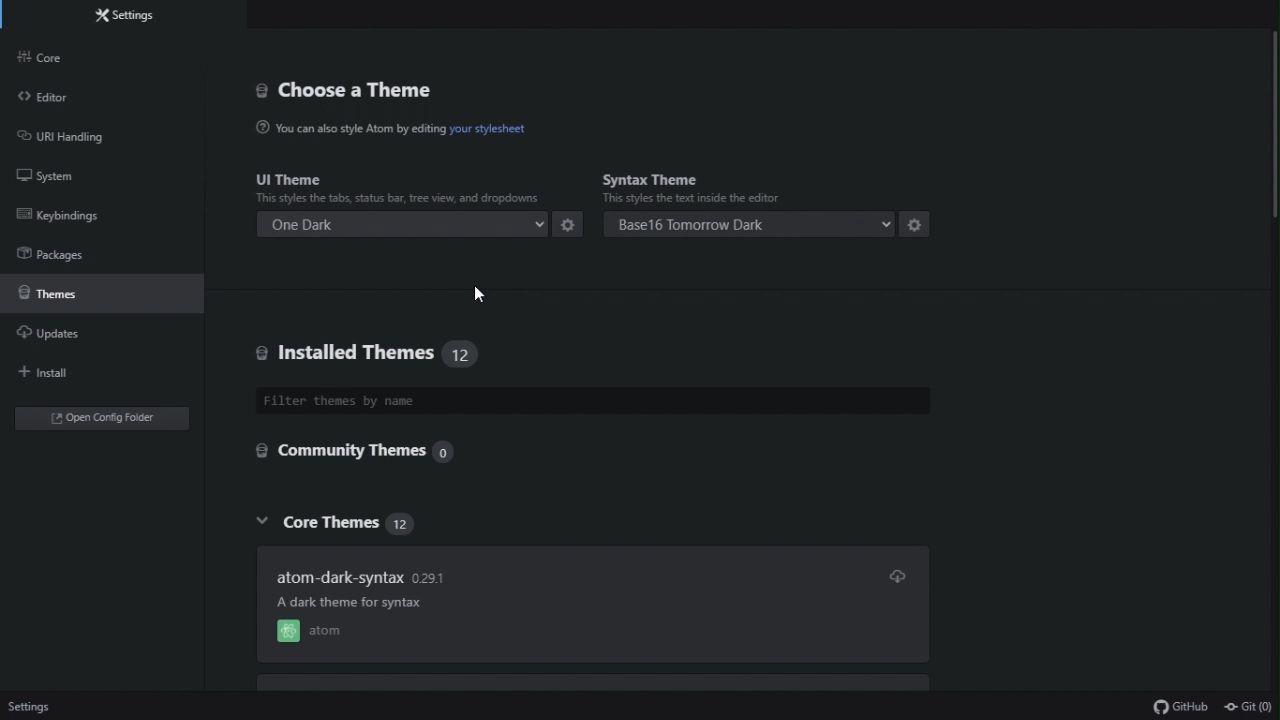  I want to click on Installed theme 12, so click(375, 357).